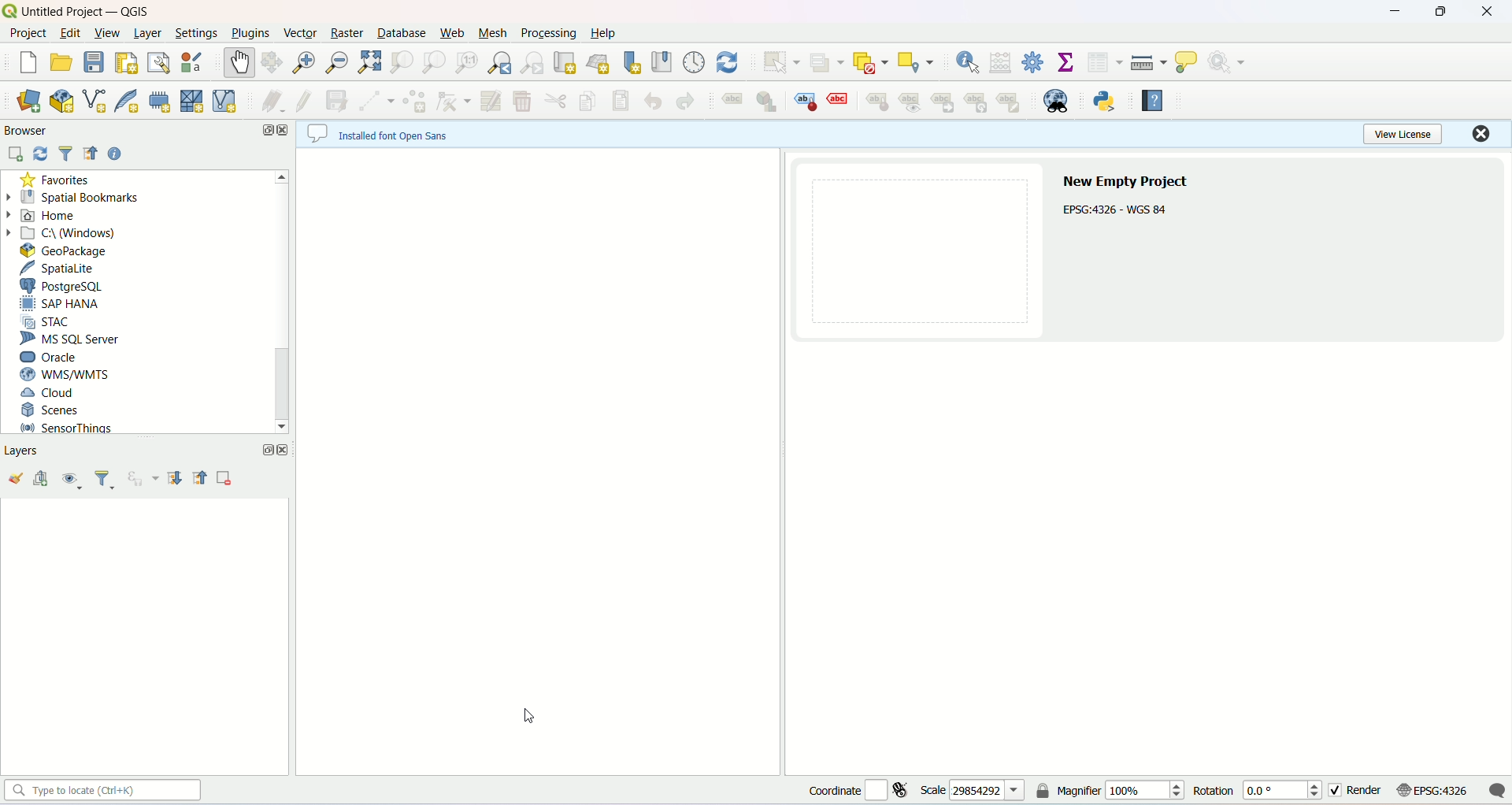 Image resolution: width=1512 pixels, height=805 pixels. Describe the element at coordinates (107, 33) in the screenshot. I see `view` at that location.